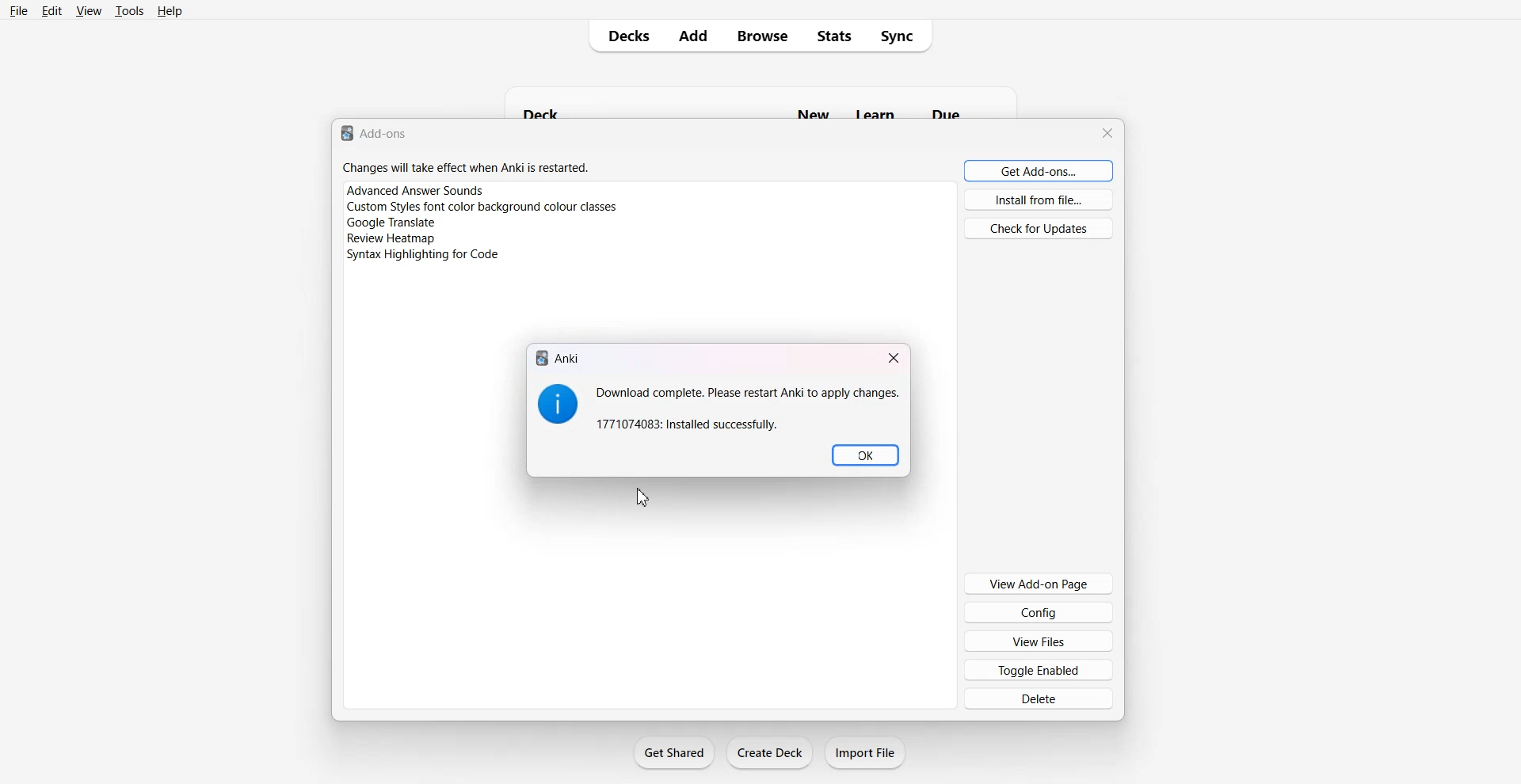 The height and width of the screenshot is (784, 1521). I want to click on Create Deck, so click(769, 752).